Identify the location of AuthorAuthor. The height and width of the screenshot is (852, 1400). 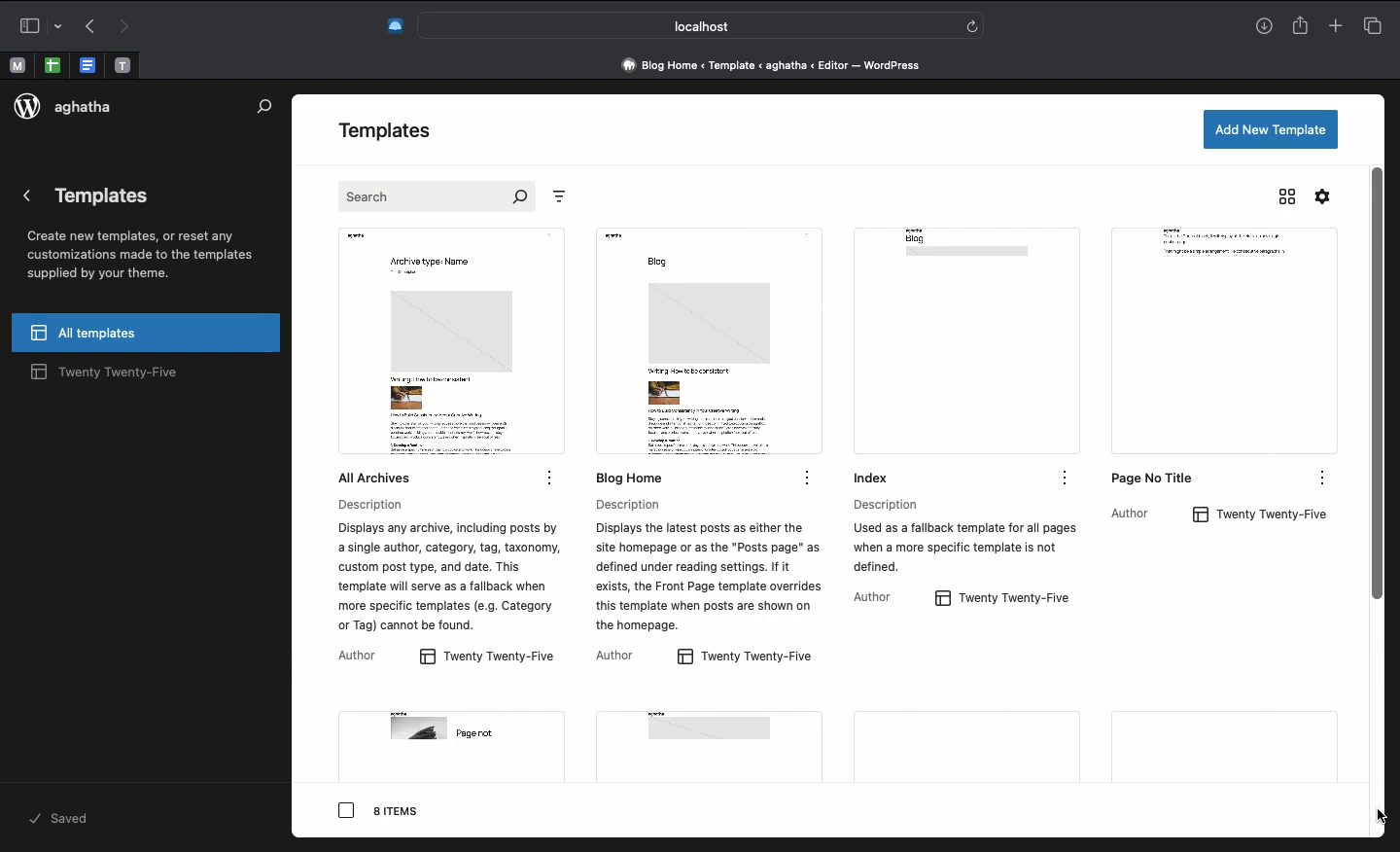
(616, 657).